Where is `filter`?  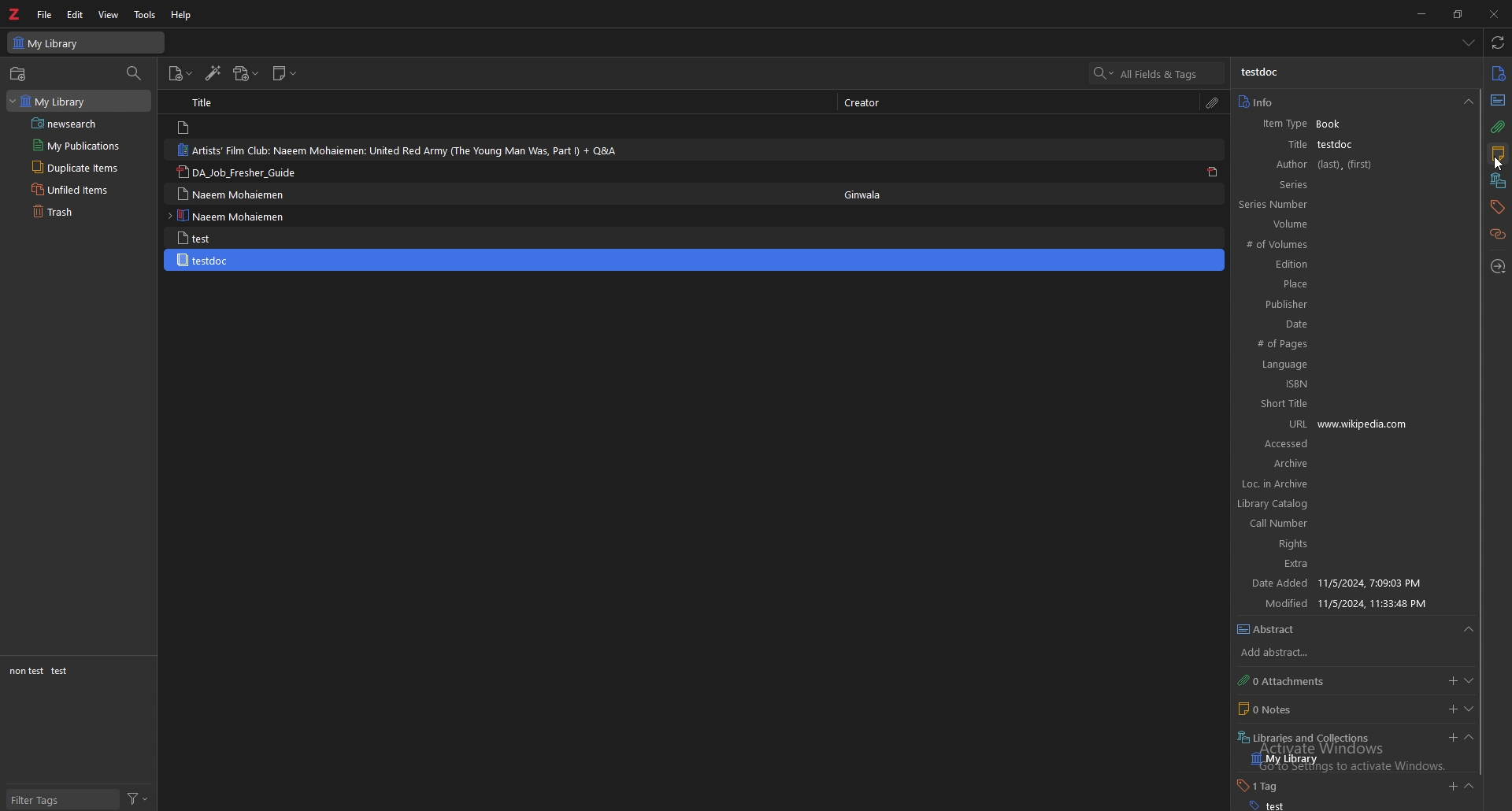 filter is located at coordinates (135, 798).